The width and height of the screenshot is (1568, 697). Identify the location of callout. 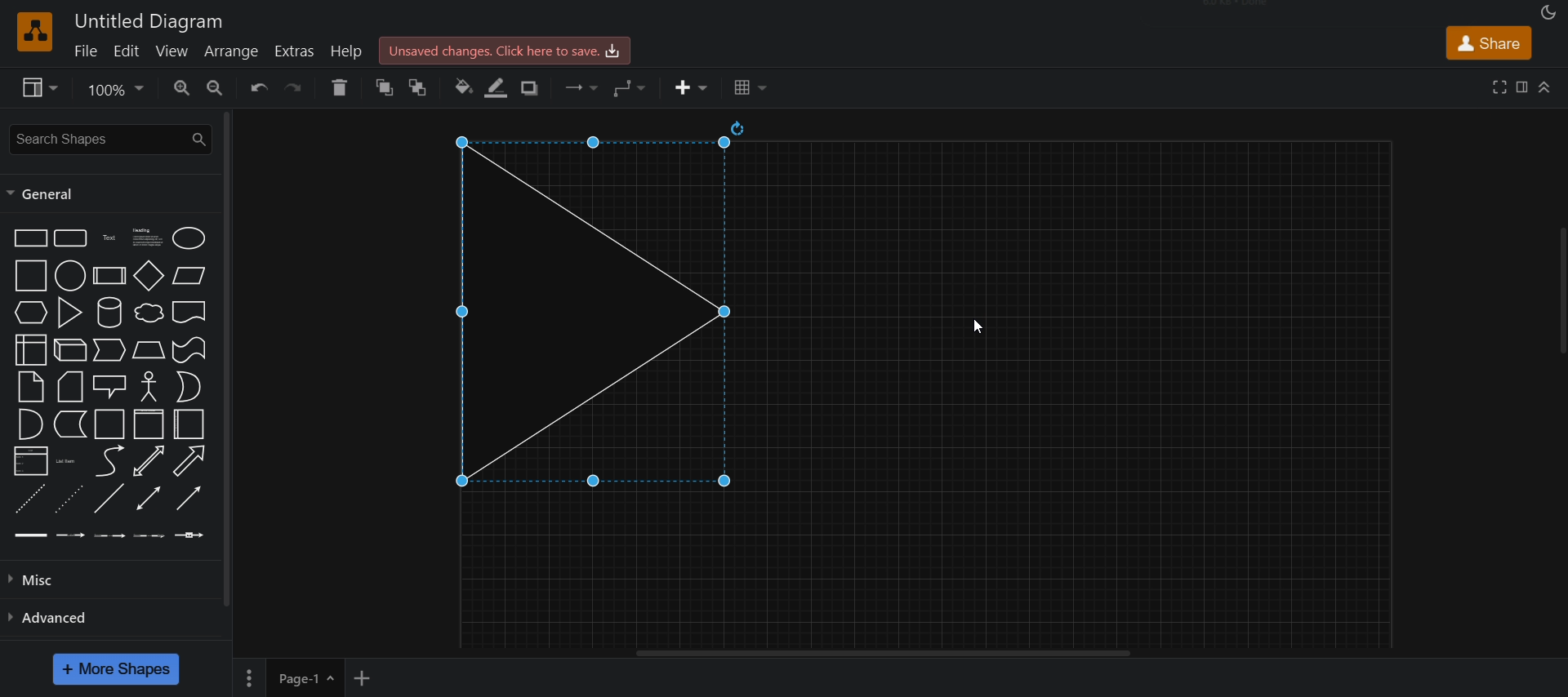
(113, 386).